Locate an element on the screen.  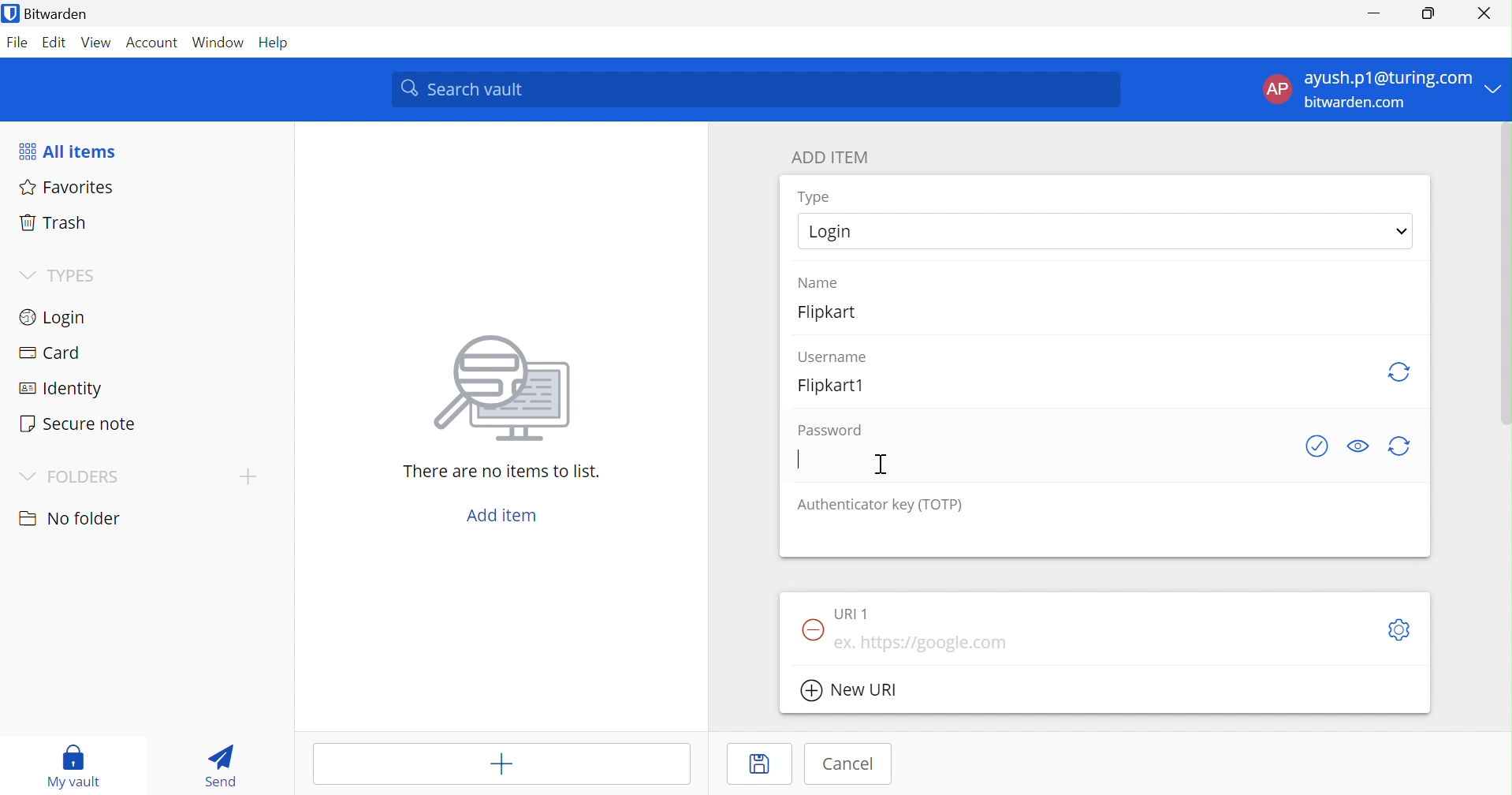
 is located at coordinates (810, 632).